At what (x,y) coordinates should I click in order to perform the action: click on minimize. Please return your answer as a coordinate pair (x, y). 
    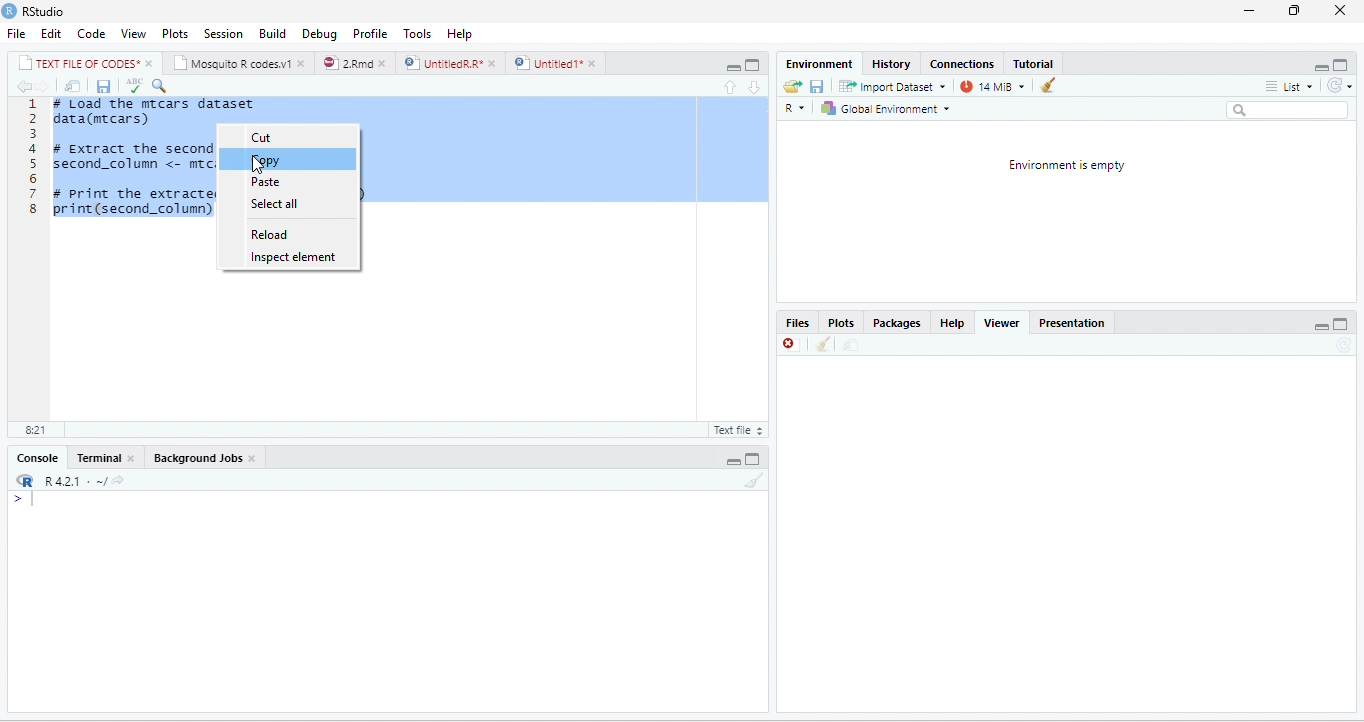
    Looking at the image, I should click on (1323, 64).